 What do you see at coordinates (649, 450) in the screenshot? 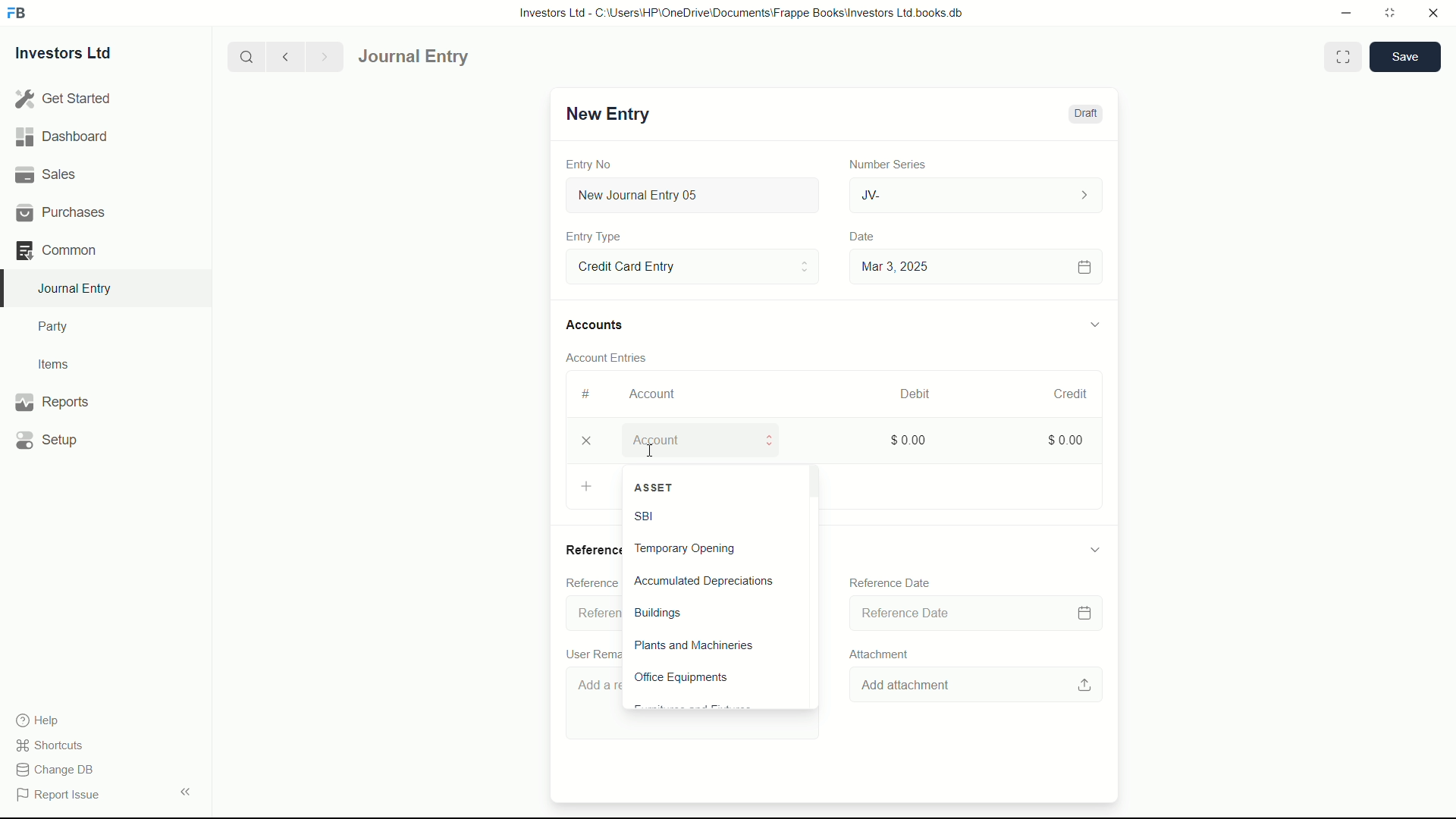
I see `cursor` at bounding box center [649, 450].